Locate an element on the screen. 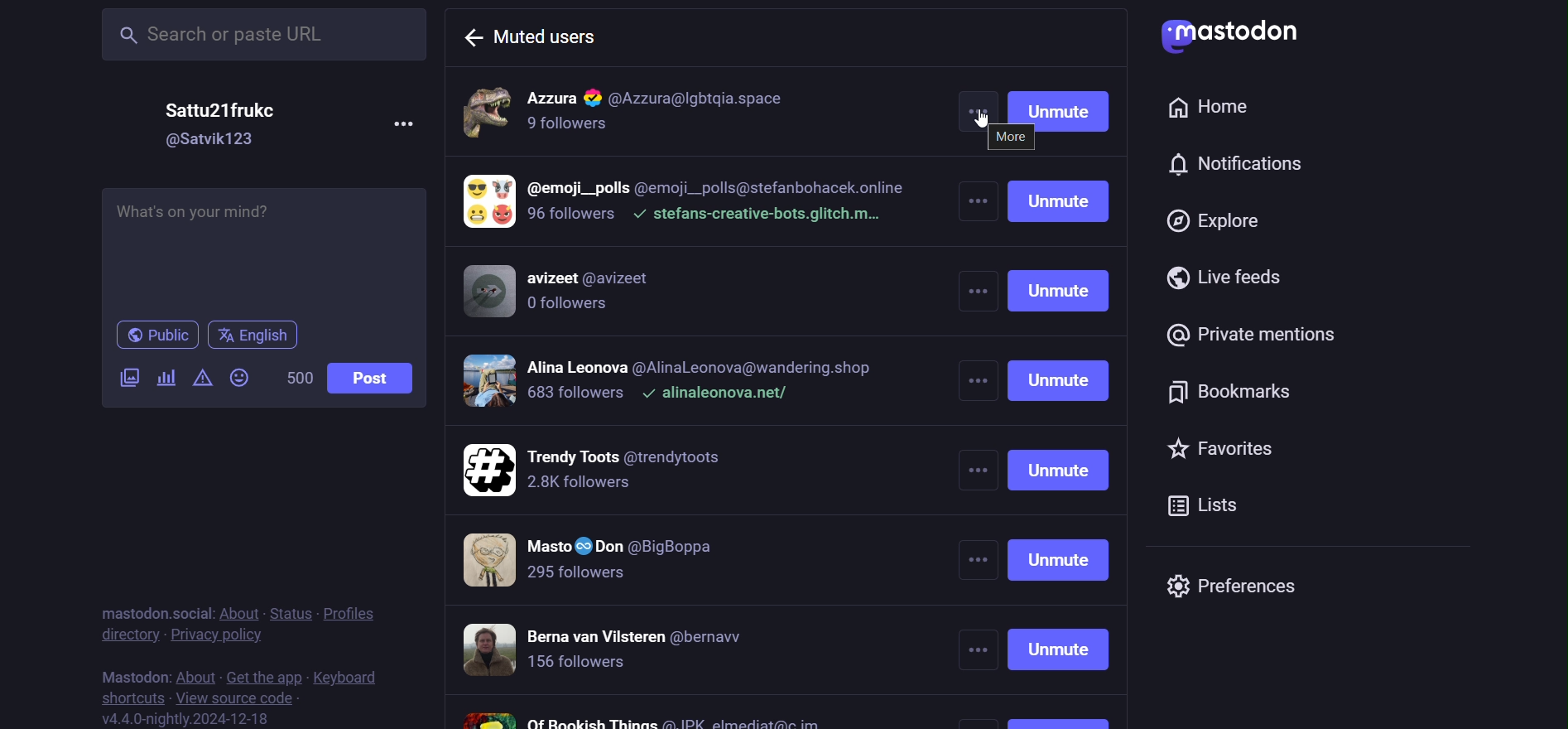 This screenshot has height=729, width=1568. muter users 7 is located at coordinates (634, 650).